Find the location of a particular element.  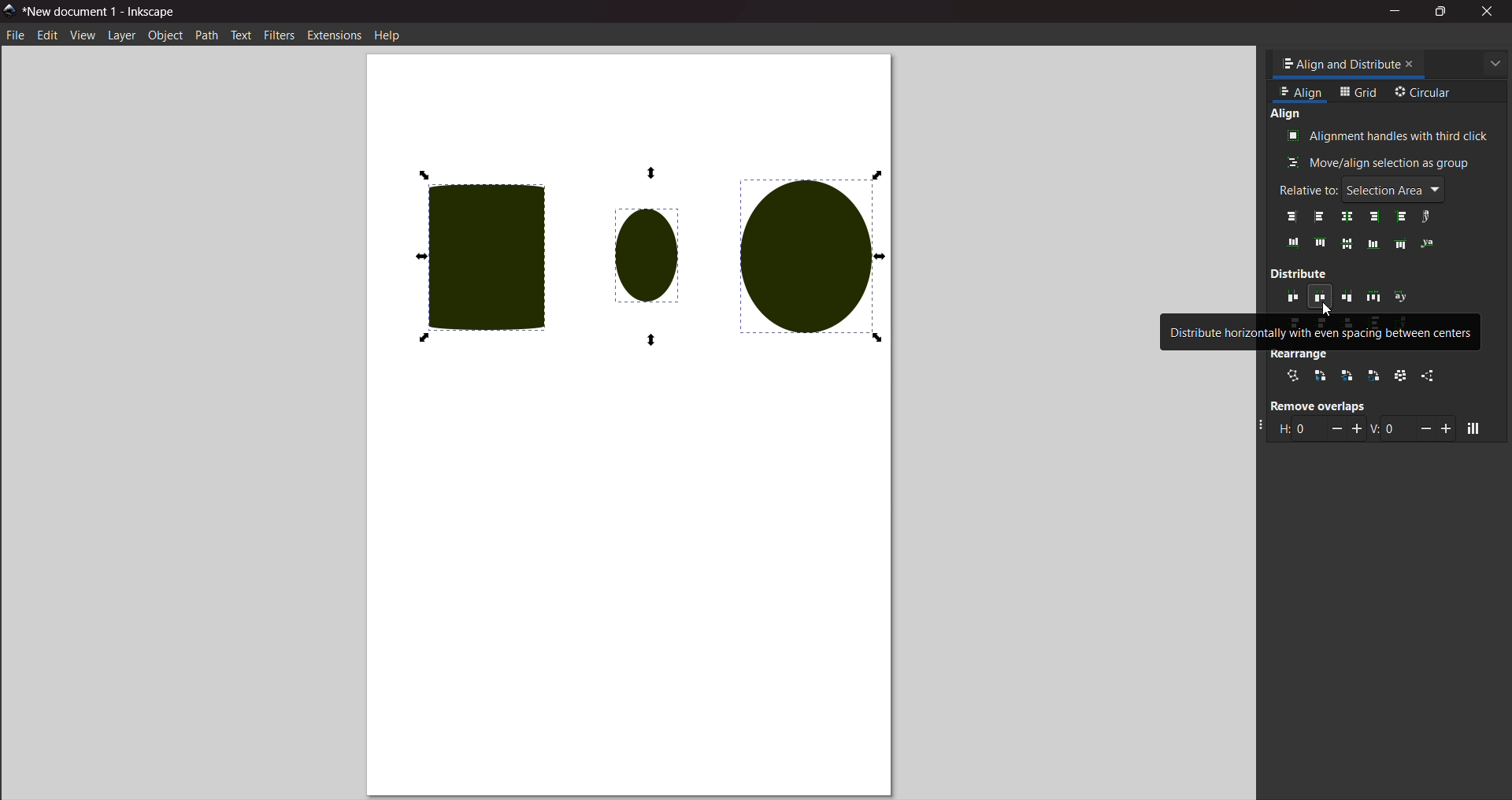

filters is located at coordinates (280, 34).